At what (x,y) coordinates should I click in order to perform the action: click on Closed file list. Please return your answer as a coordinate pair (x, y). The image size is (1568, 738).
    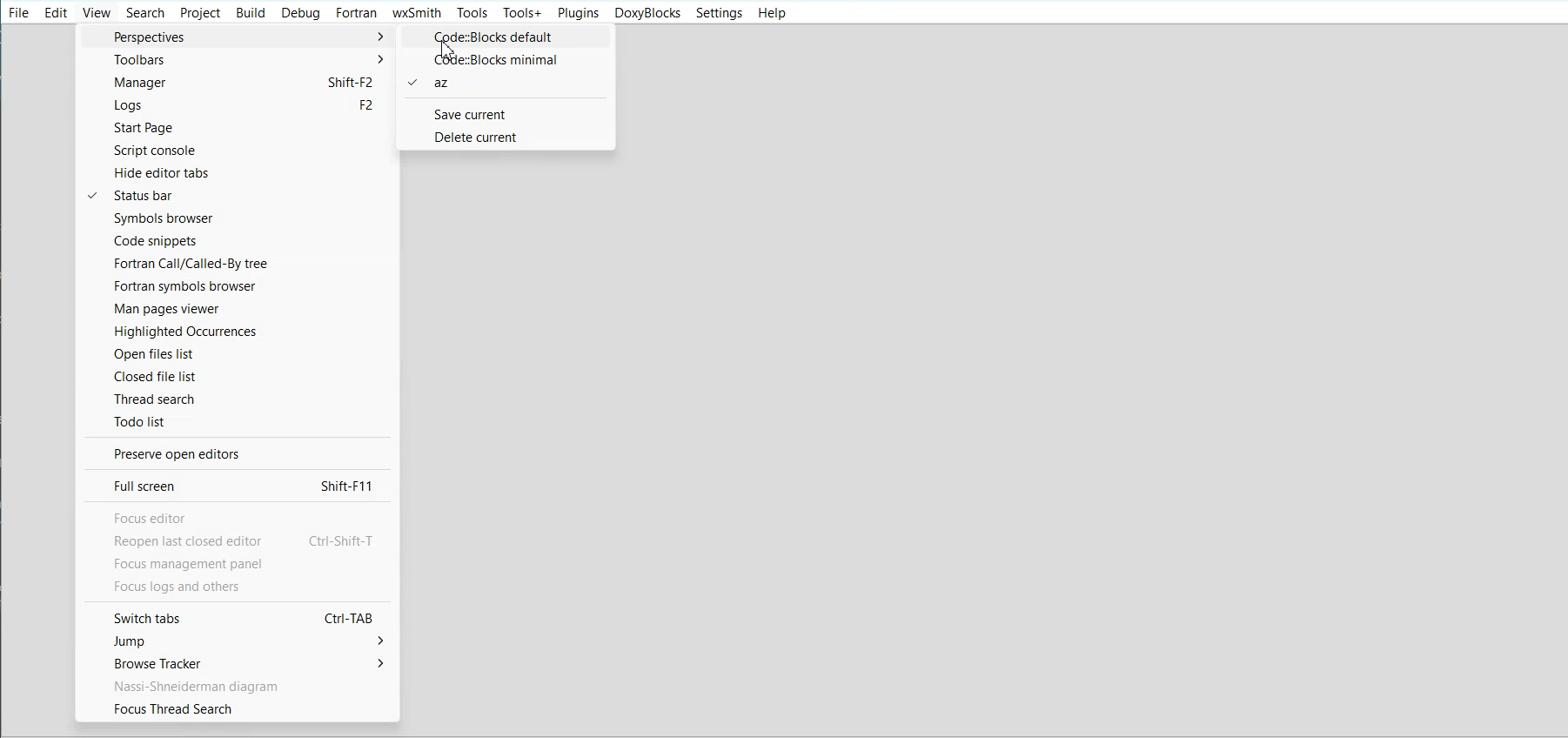
    Looking at the image, I should click on (237, 376).